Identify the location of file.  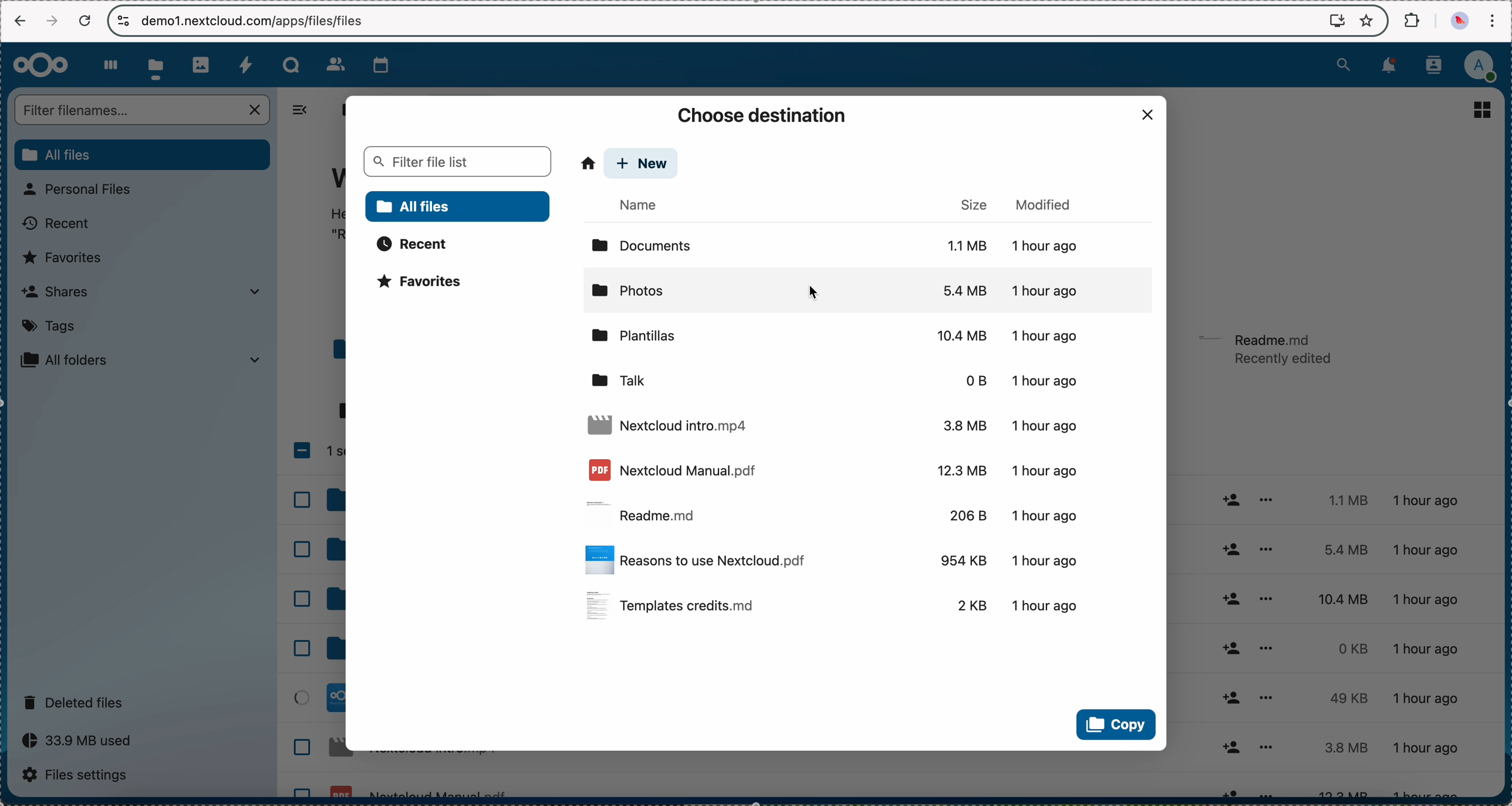
(837, 605).